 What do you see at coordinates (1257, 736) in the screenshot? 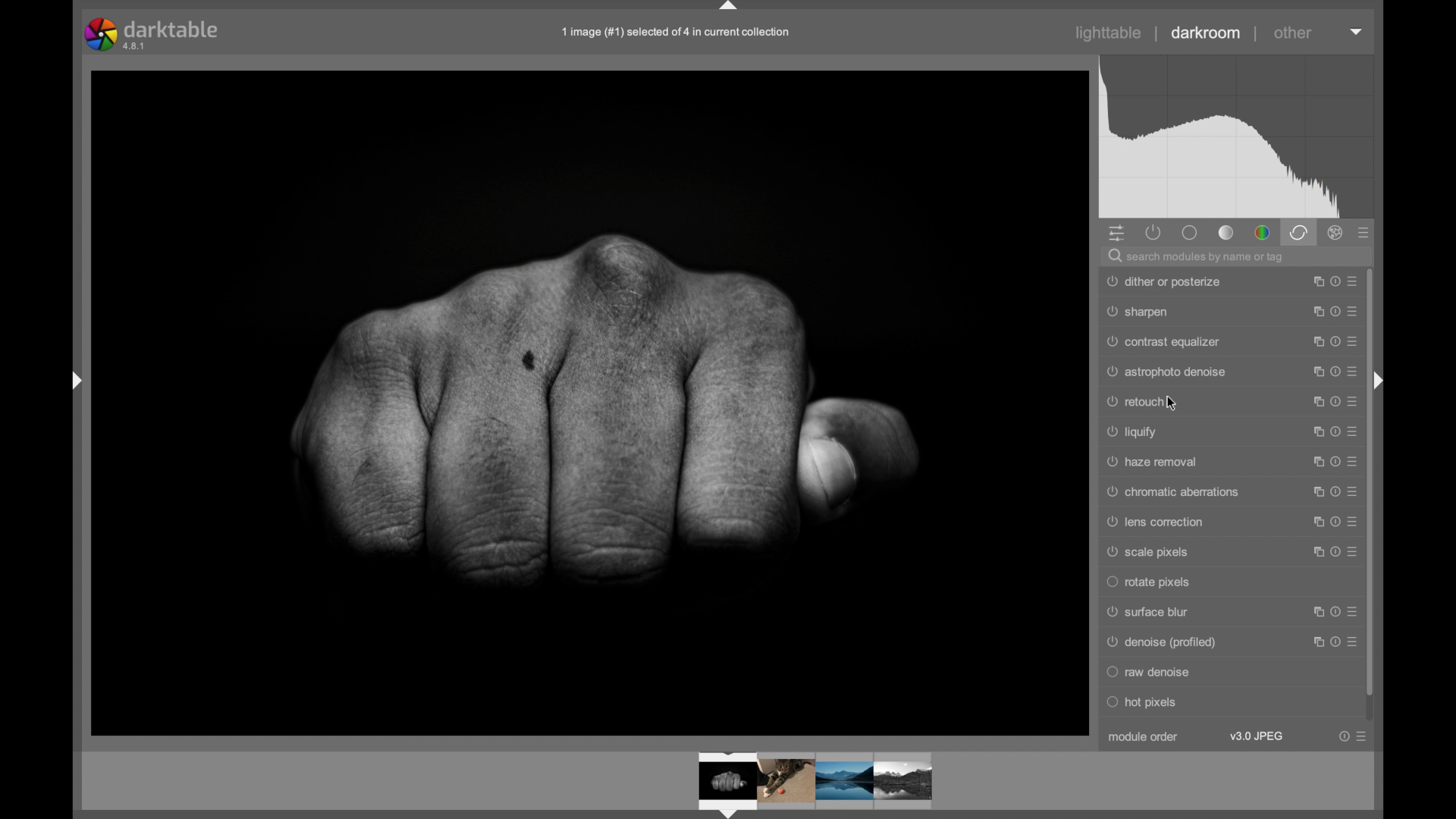
I see `v3.0 jpeg` at bounding box center [1257, 736].